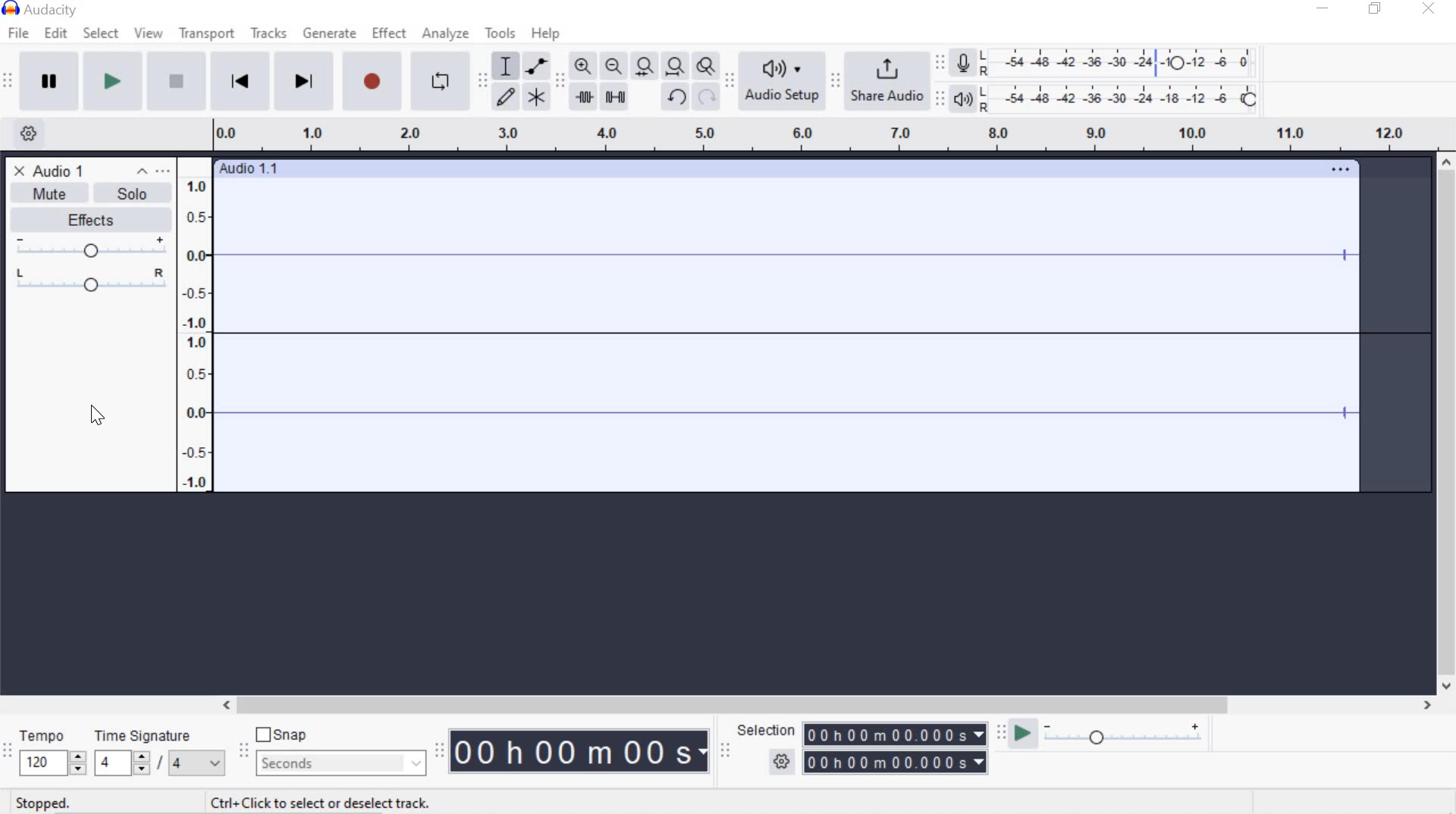 This screenshot has height=814, width=1456. What do you see at coordinates (676, 67) in the screenshot?
I see `Fit project to width` at bounding box center [676, 67].